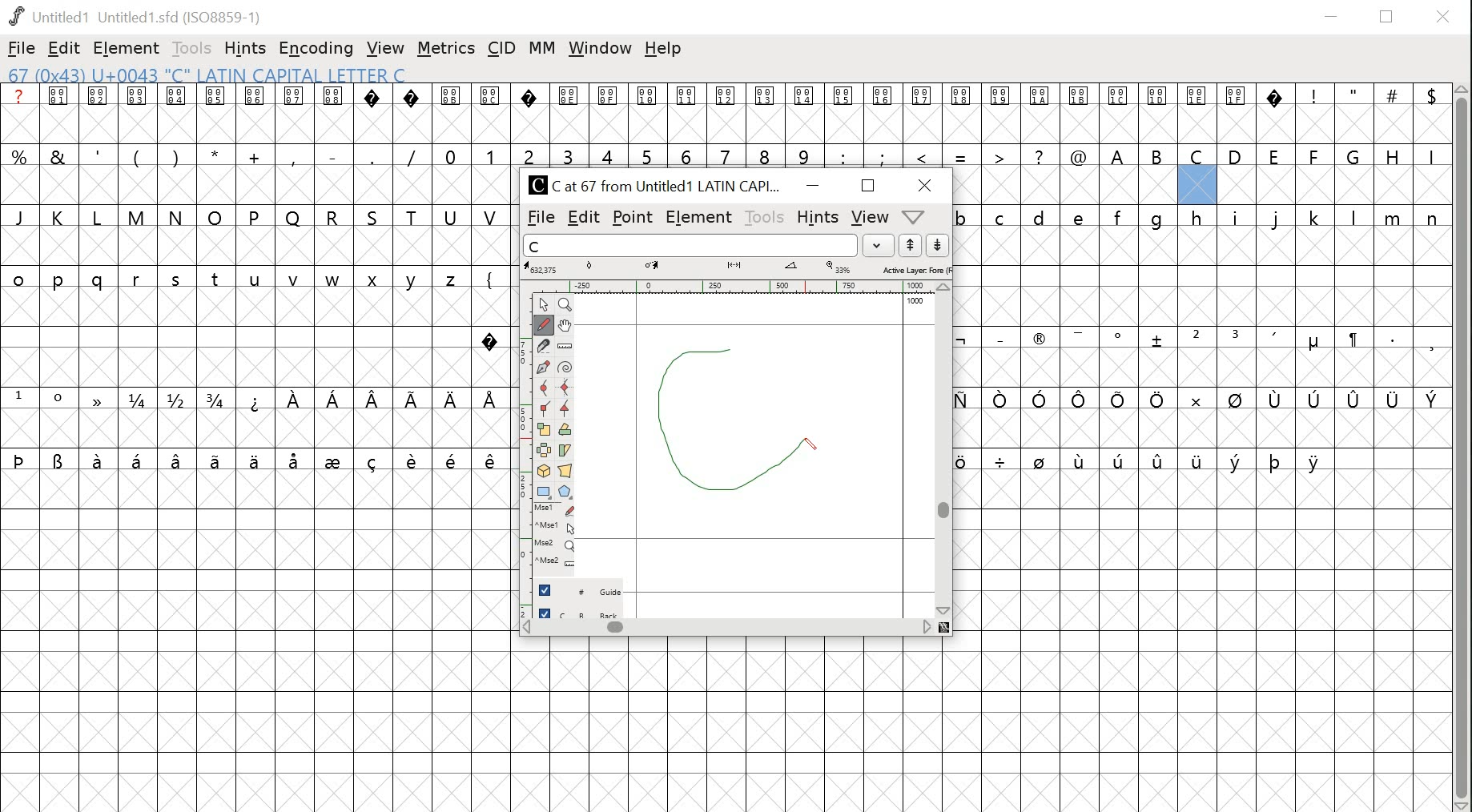 The width and height of the screenshot is (1472, 812). Describe the element at coordinates (566, 492) in the screenshot. I see `polygon/star` at that location.